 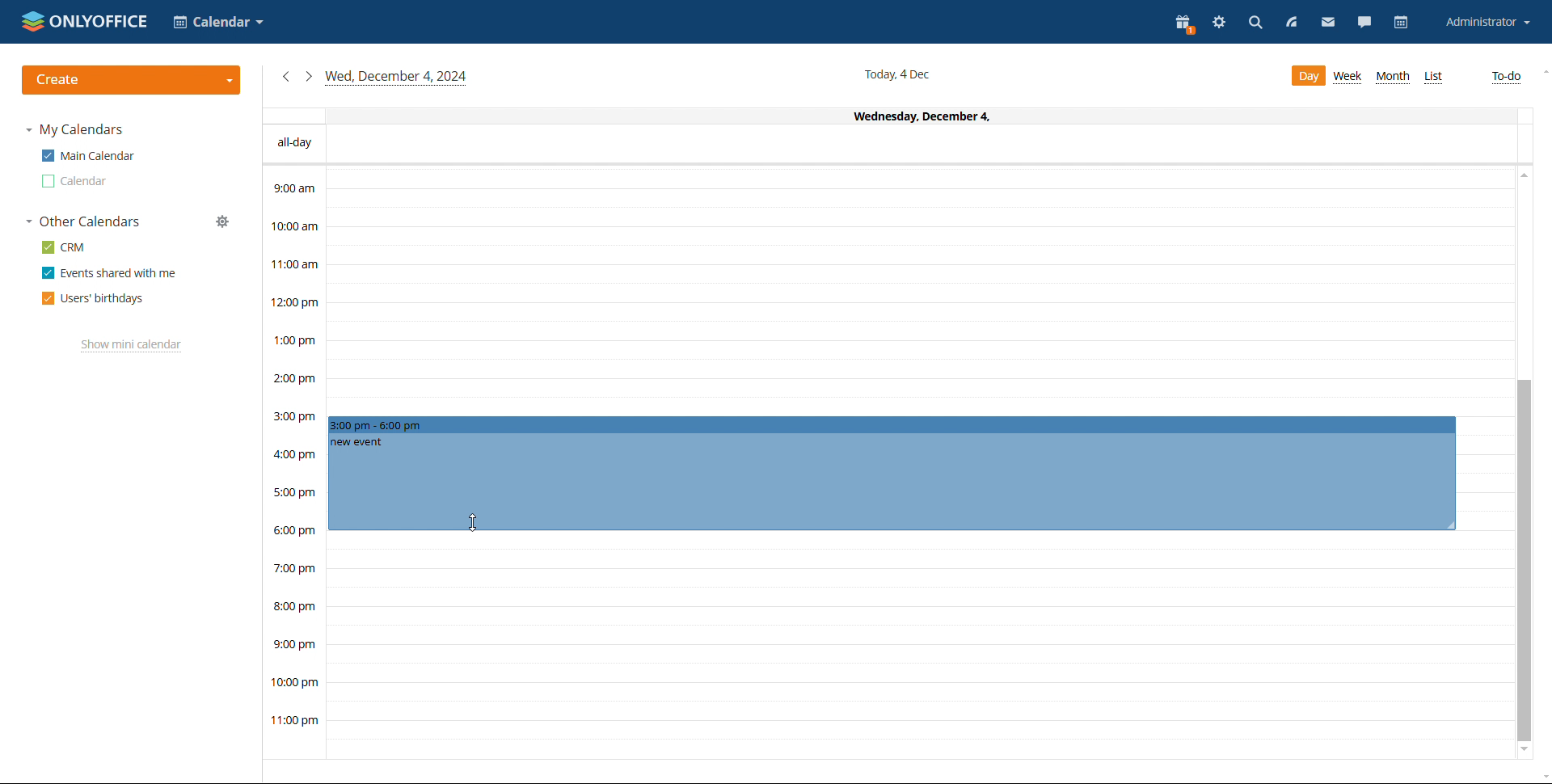 What do you see at coordinates (886, 116) in the screenshot?
I see `date` at bounding box center [886, 116].